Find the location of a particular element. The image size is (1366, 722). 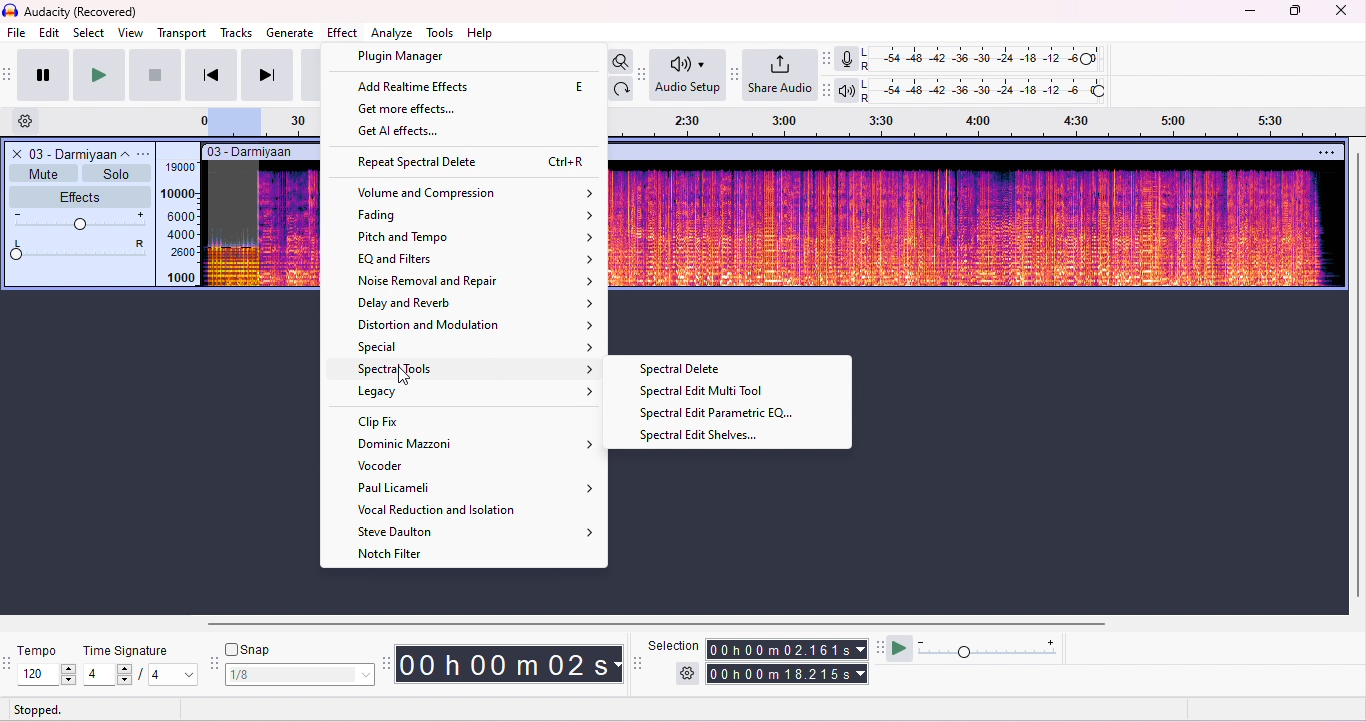

previous is located at coordinates (211, 75).